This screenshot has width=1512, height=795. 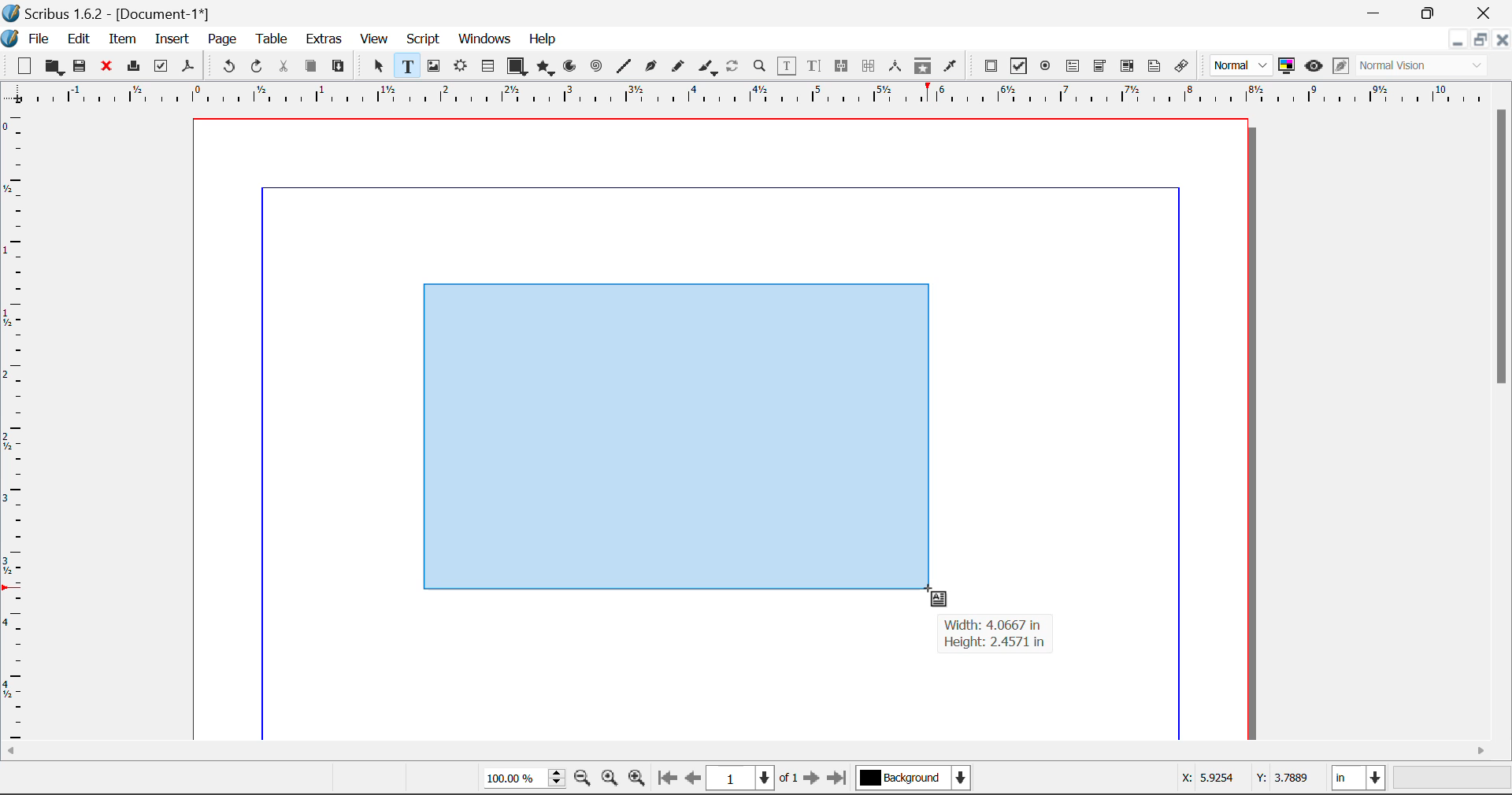 What do you see at coordinates (991, 65) in the screenshot?
I see `Pdf Push Button` at bounding box center [991, 65].